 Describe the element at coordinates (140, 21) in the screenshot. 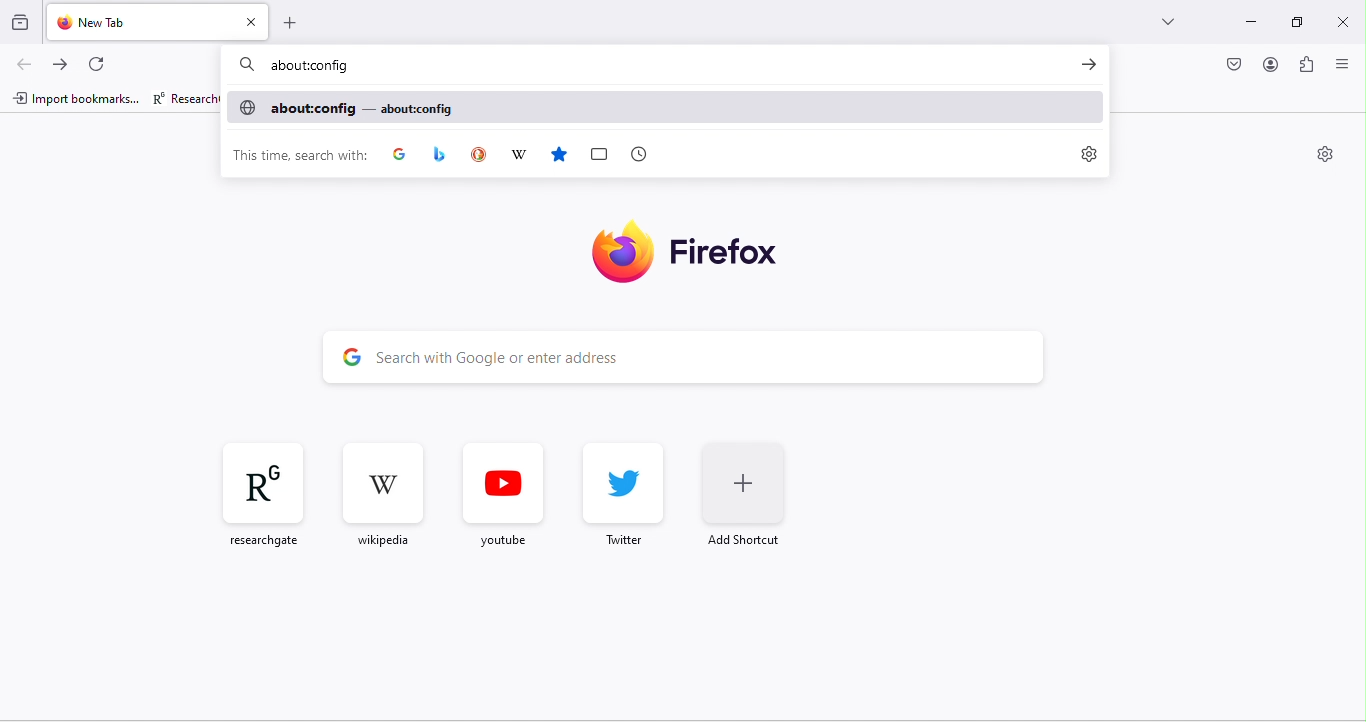

I see `new tab` at that location.